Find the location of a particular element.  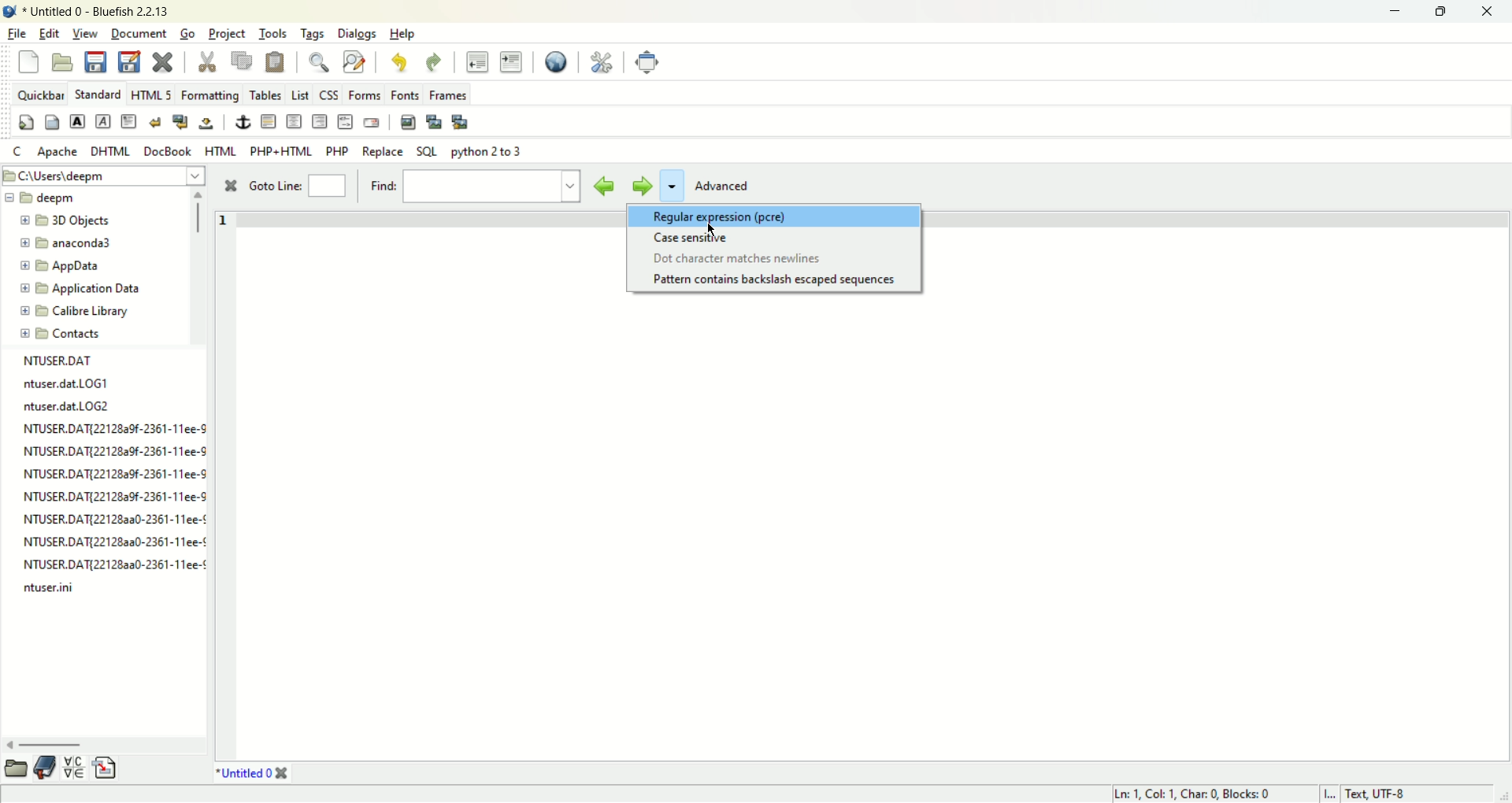

previous is located at coordinates (604, 185).